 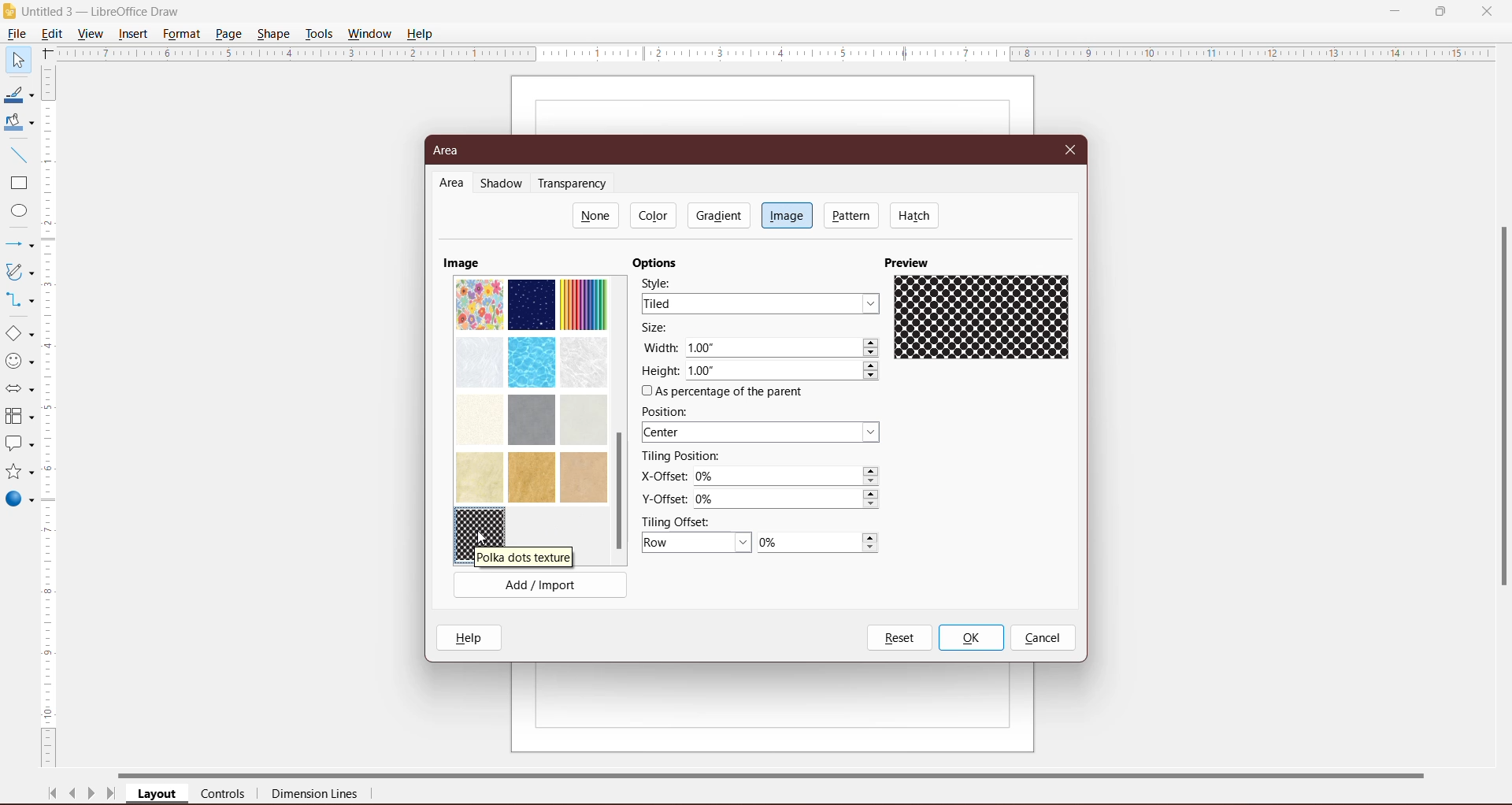 What do you see at coordinates (91, 33) in the screenshot?
I see `View` at bounding box center [91, 33].